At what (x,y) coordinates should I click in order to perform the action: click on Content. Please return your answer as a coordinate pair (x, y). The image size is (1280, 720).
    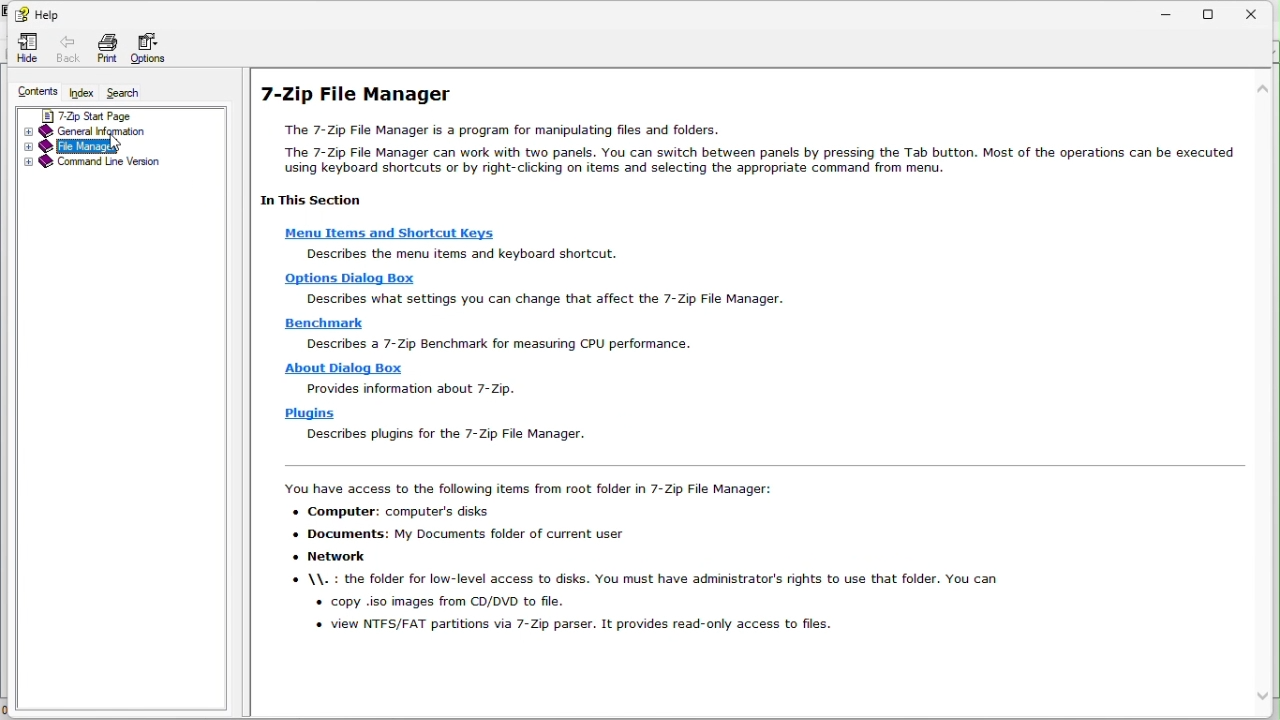
    Looking at the image, I should click on (38, 89).